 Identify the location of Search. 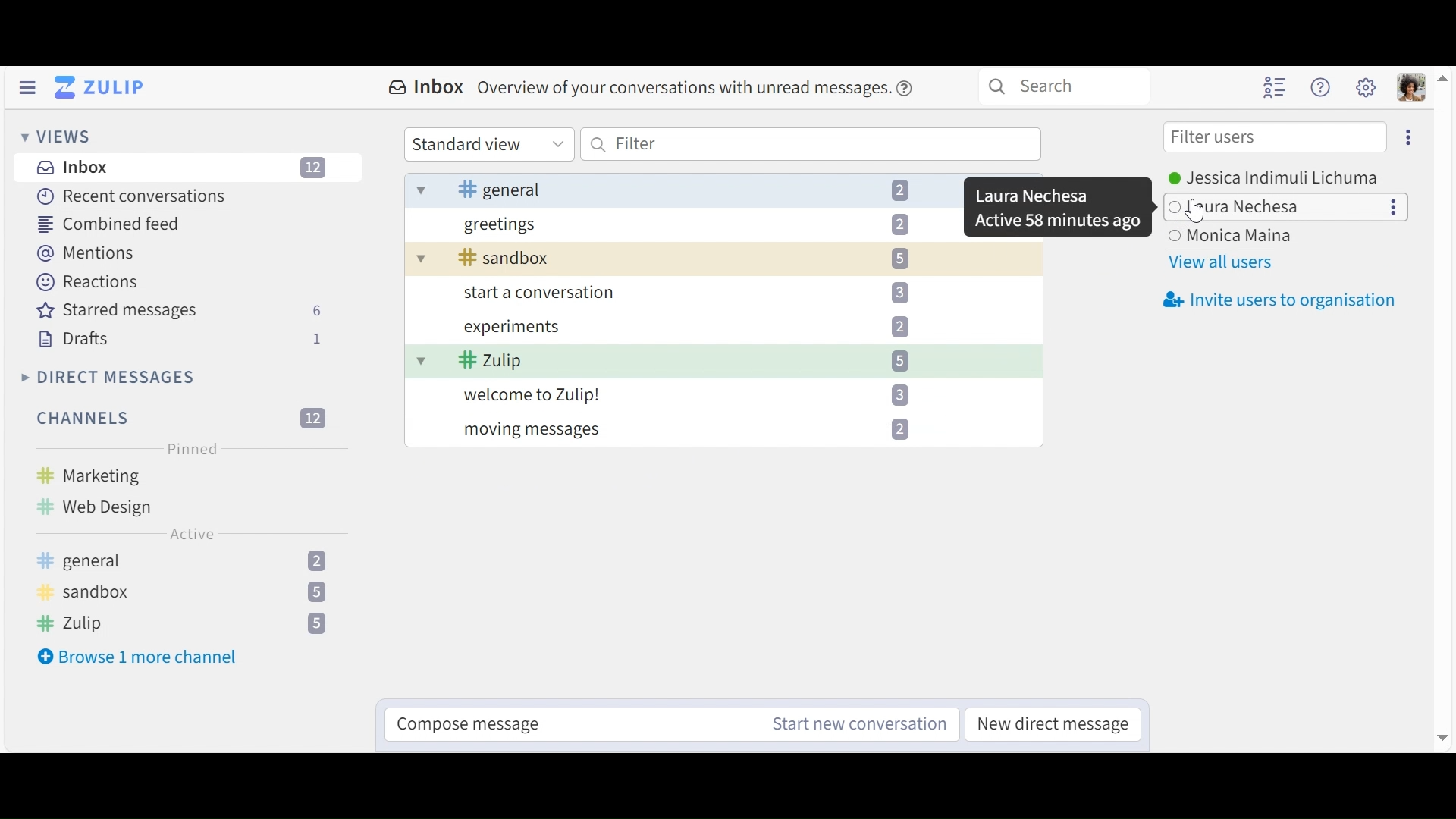
(1063, 86).